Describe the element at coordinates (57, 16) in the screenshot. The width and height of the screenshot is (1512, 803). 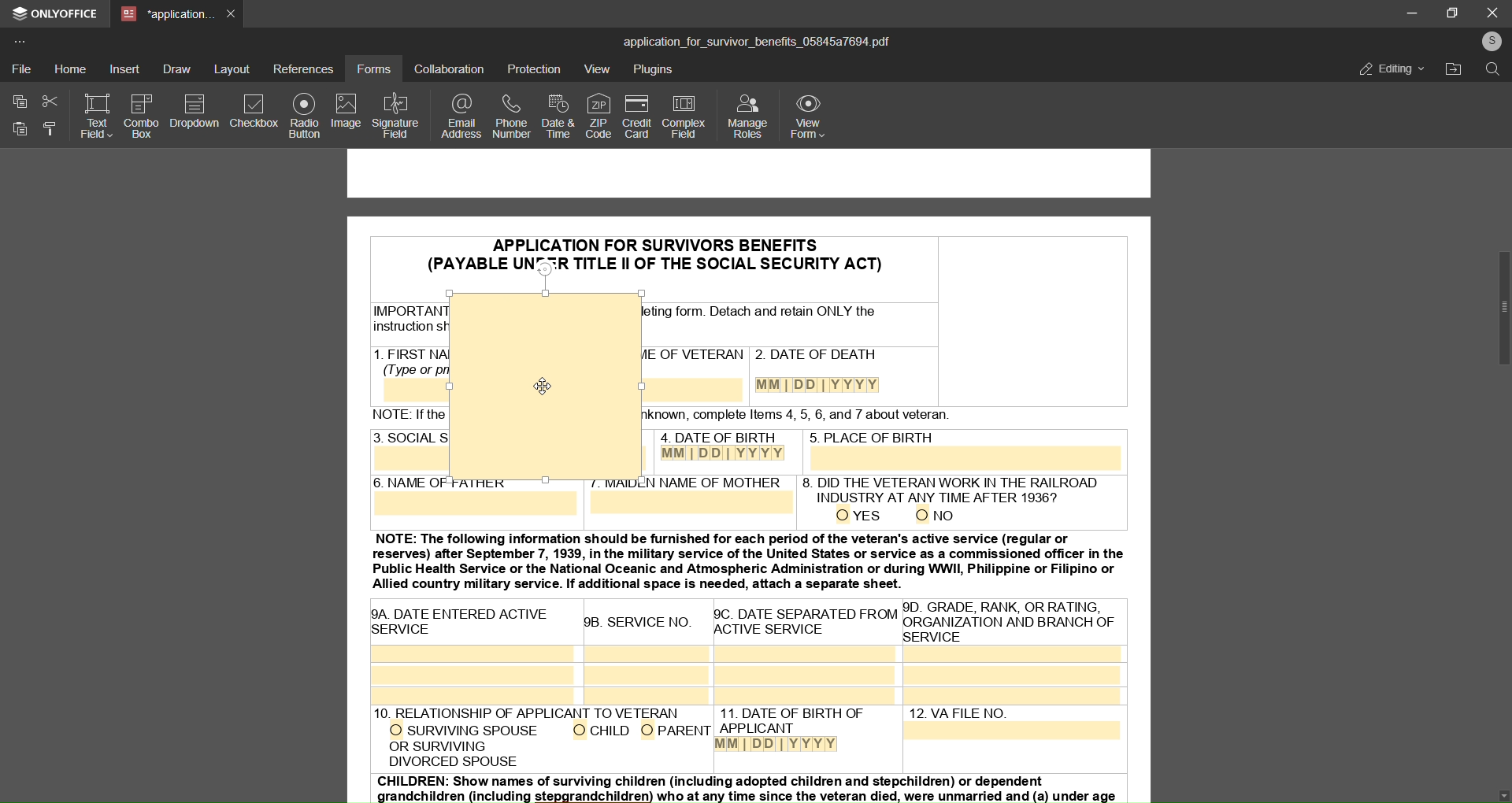
I see `onlyoffice` at that location.